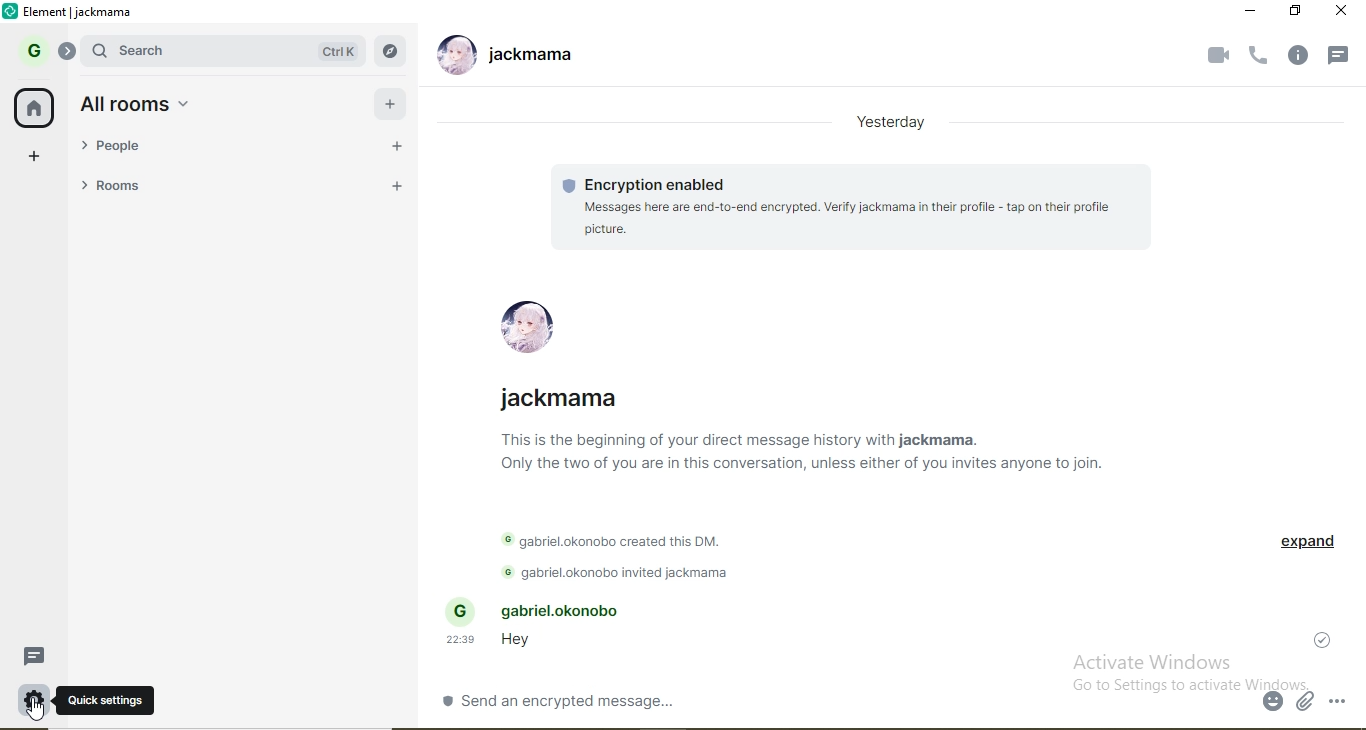 The height and width of the screenshot is (730, 1366). Describe the element at coordinates (463, 640) in the screenshot. I see `22:39` at that location.